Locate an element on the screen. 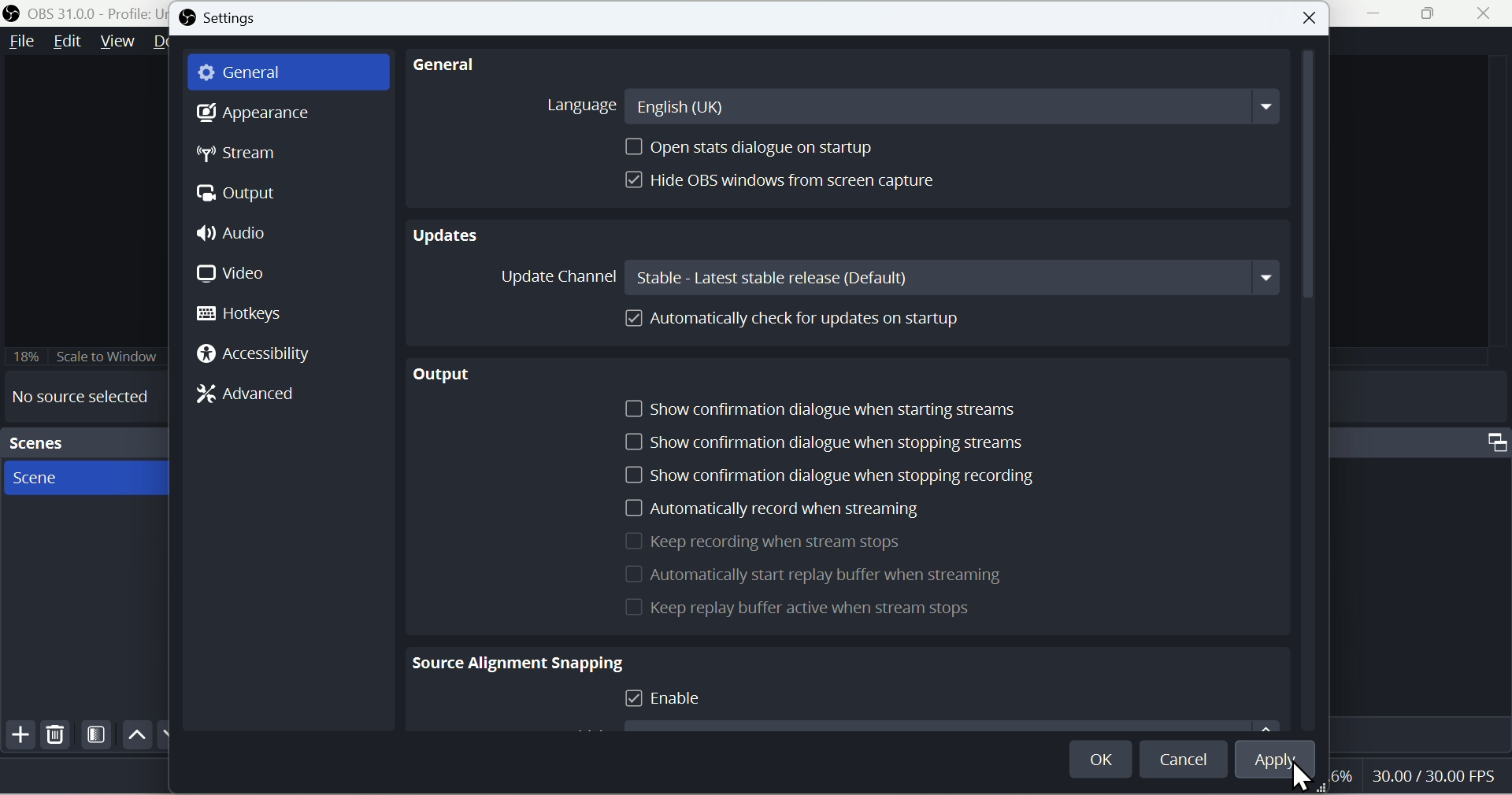  Edit is located at coordinates (66, 46).